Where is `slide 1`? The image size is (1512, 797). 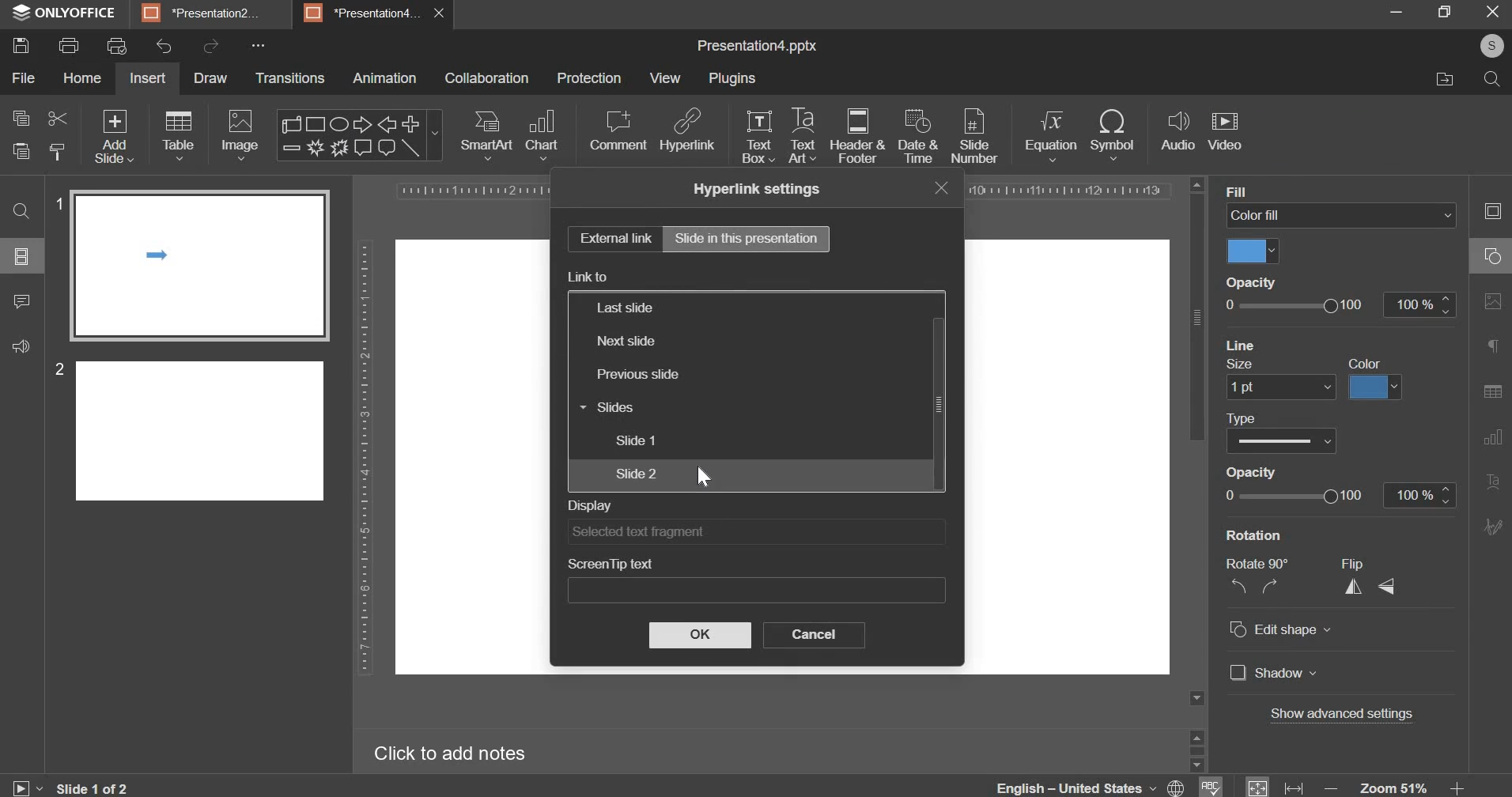 slide 1 is located at coordinates (191, 262).